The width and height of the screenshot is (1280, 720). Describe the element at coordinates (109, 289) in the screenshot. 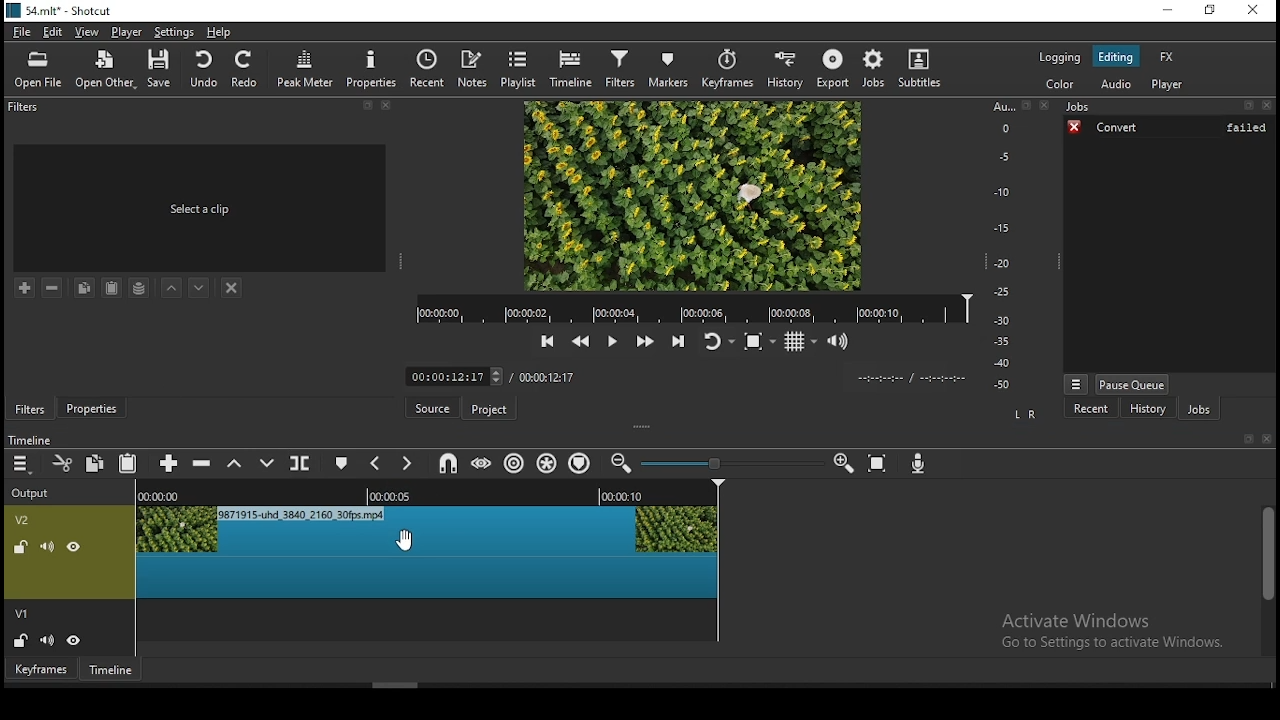

I see `paste` at that location.